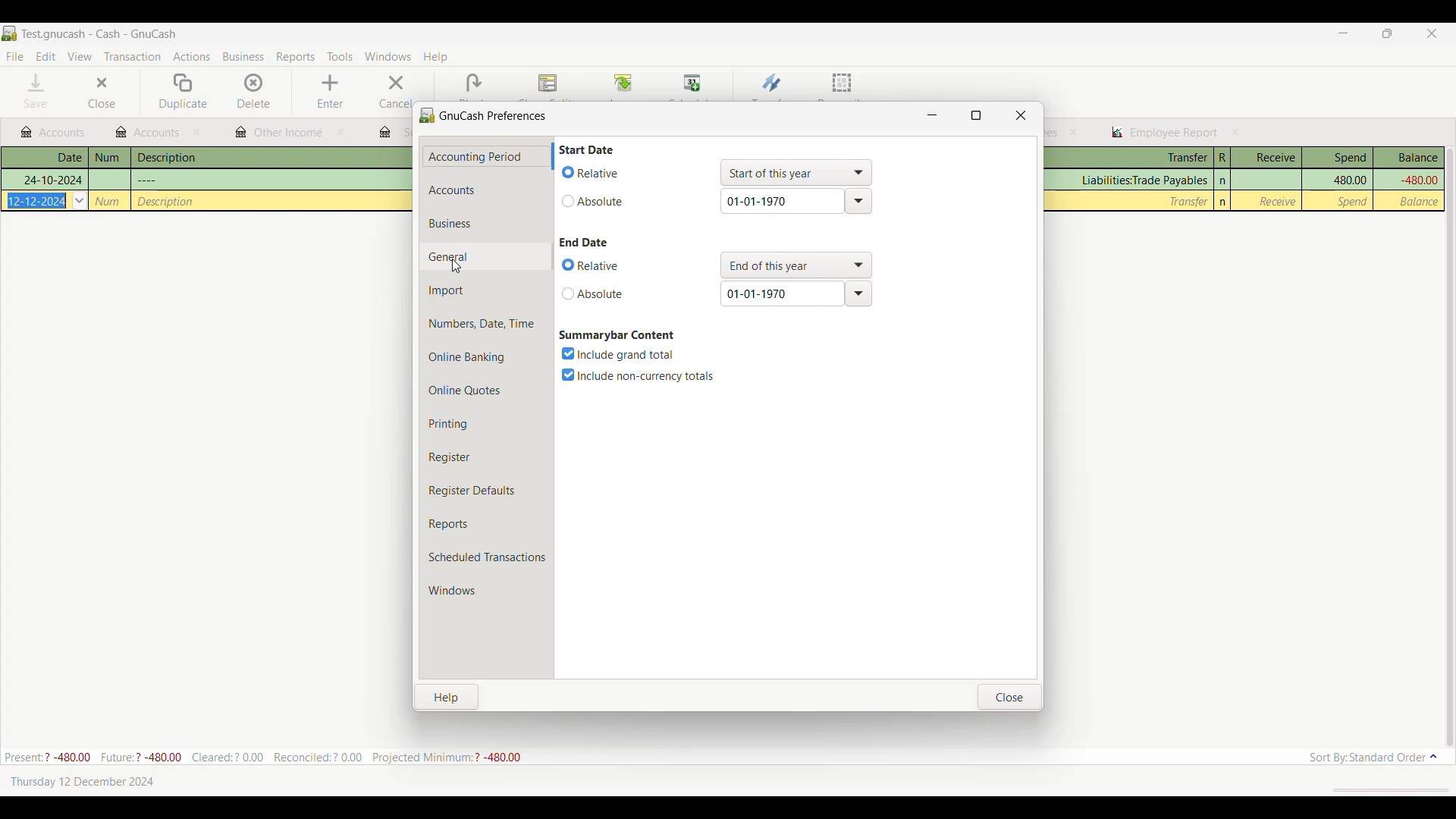  Describe the element at coordinates (772, 83) in the screenshot. I see `Transfer` at that location.